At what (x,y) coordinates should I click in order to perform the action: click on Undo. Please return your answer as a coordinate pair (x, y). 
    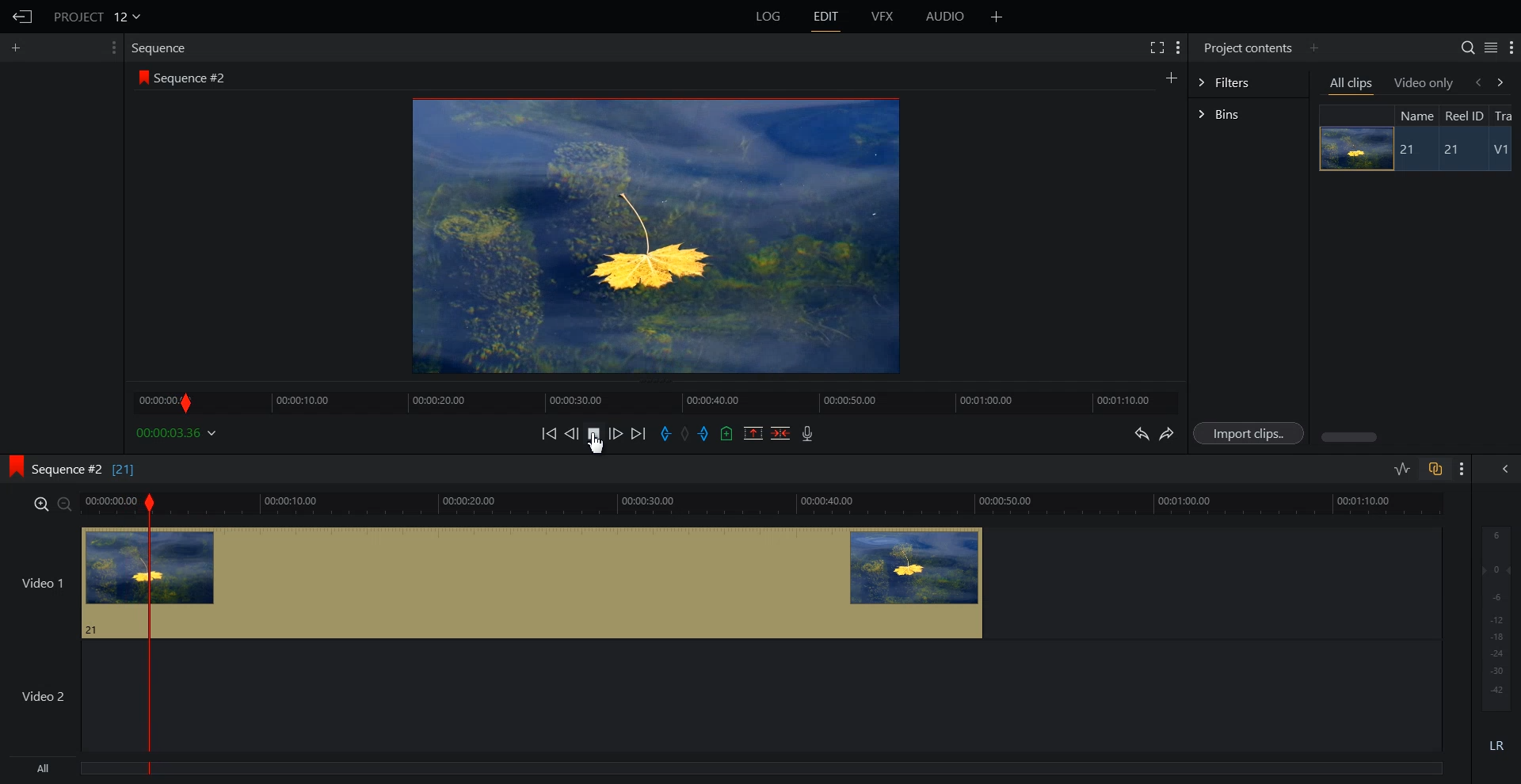
    Looking at the image, I should click on (1139, 434).